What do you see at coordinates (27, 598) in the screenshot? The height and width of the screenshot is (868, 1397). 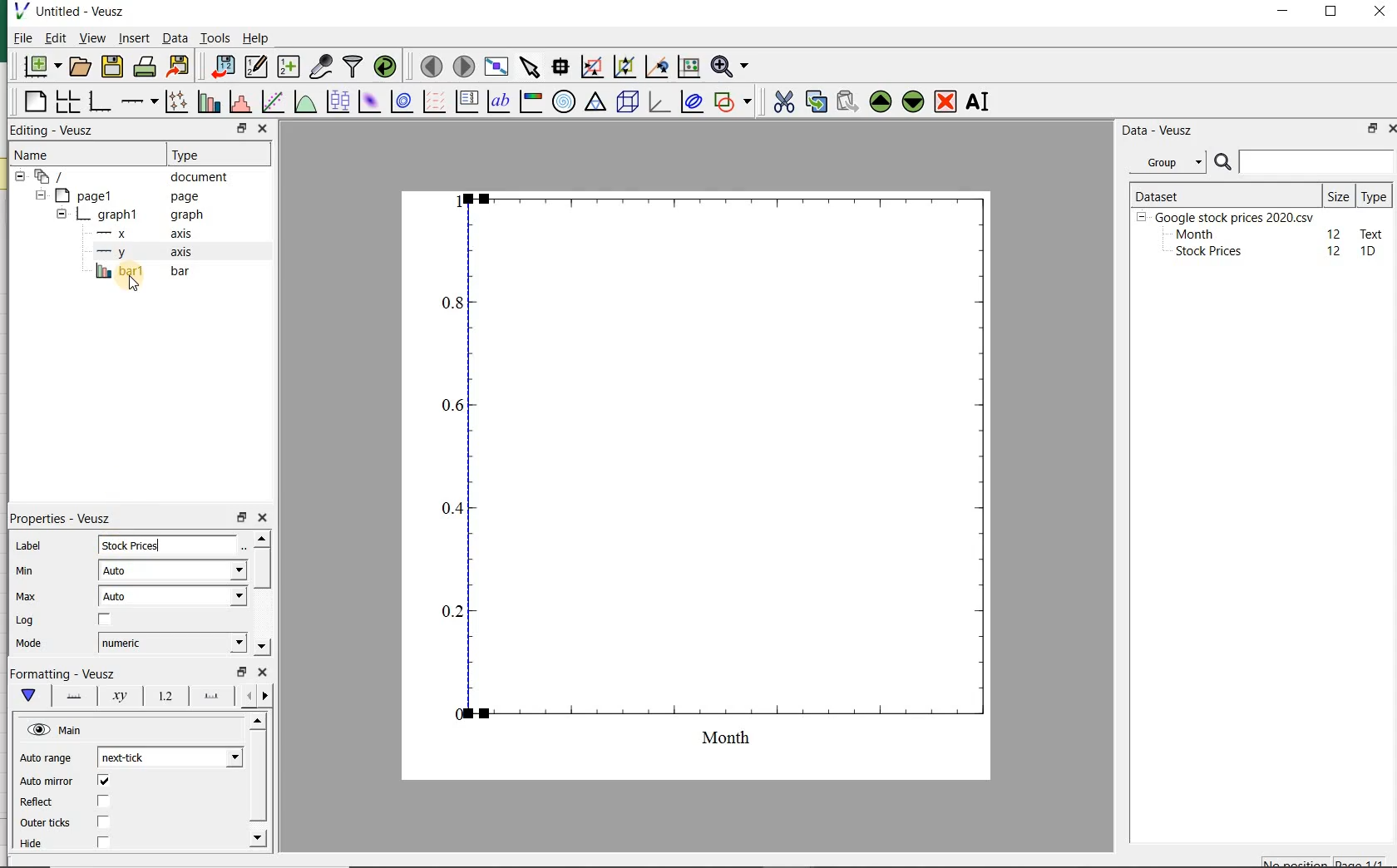 I see `Max` at bounding box center [27, 598].